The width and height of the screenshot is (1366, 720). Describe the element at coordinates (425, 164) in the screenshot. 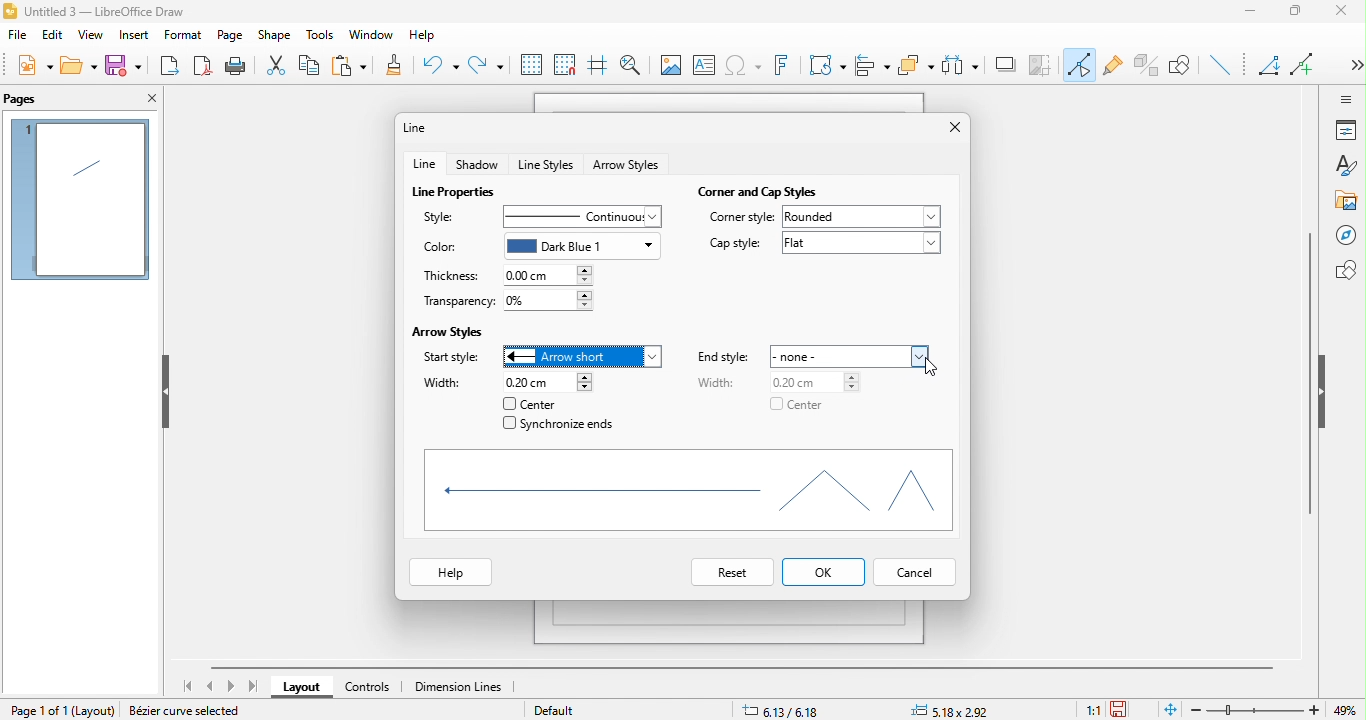

I see `line` at that location.